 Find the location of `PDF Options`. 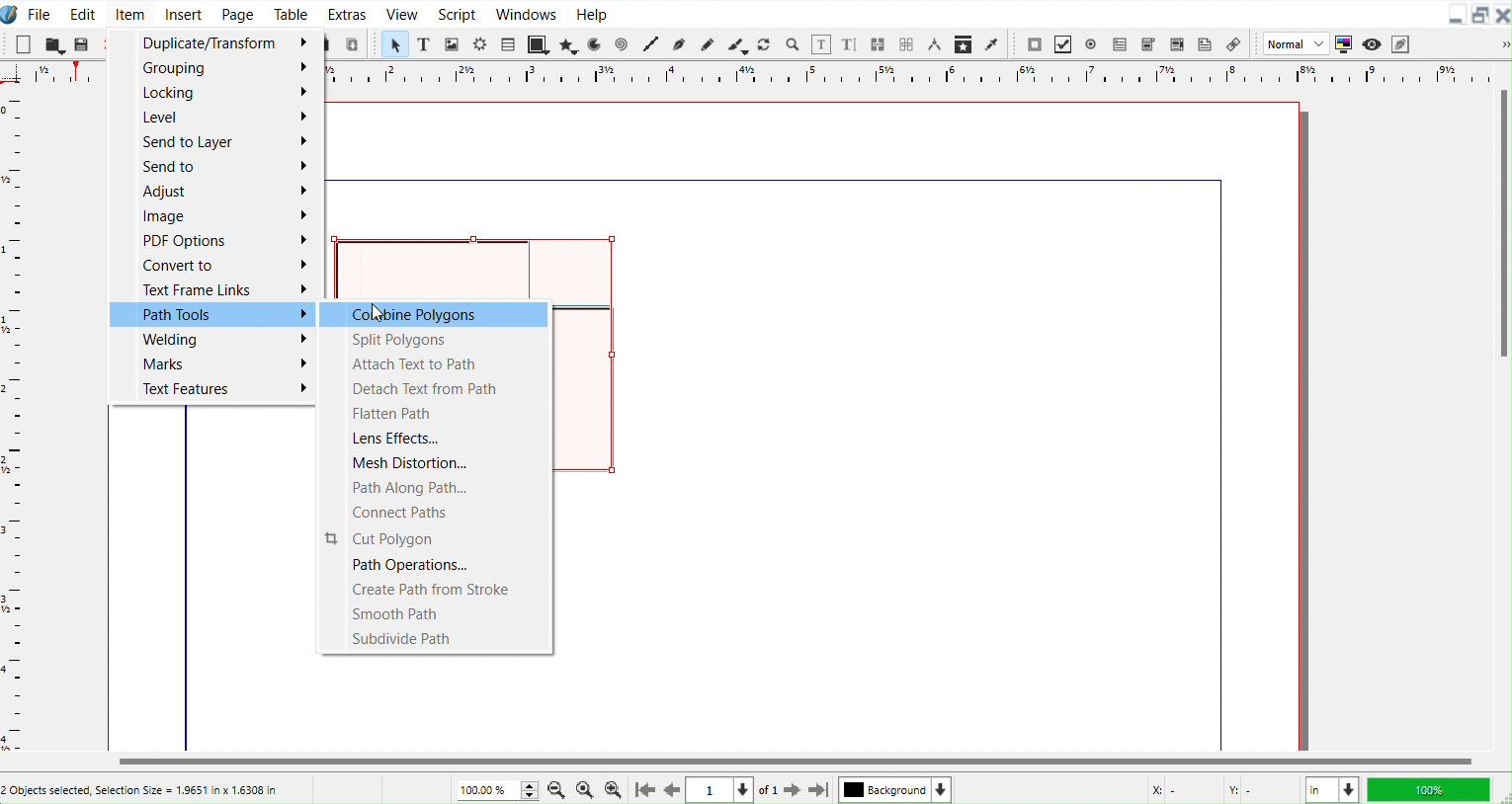

PDF Options is located at coordinates (212, 240).